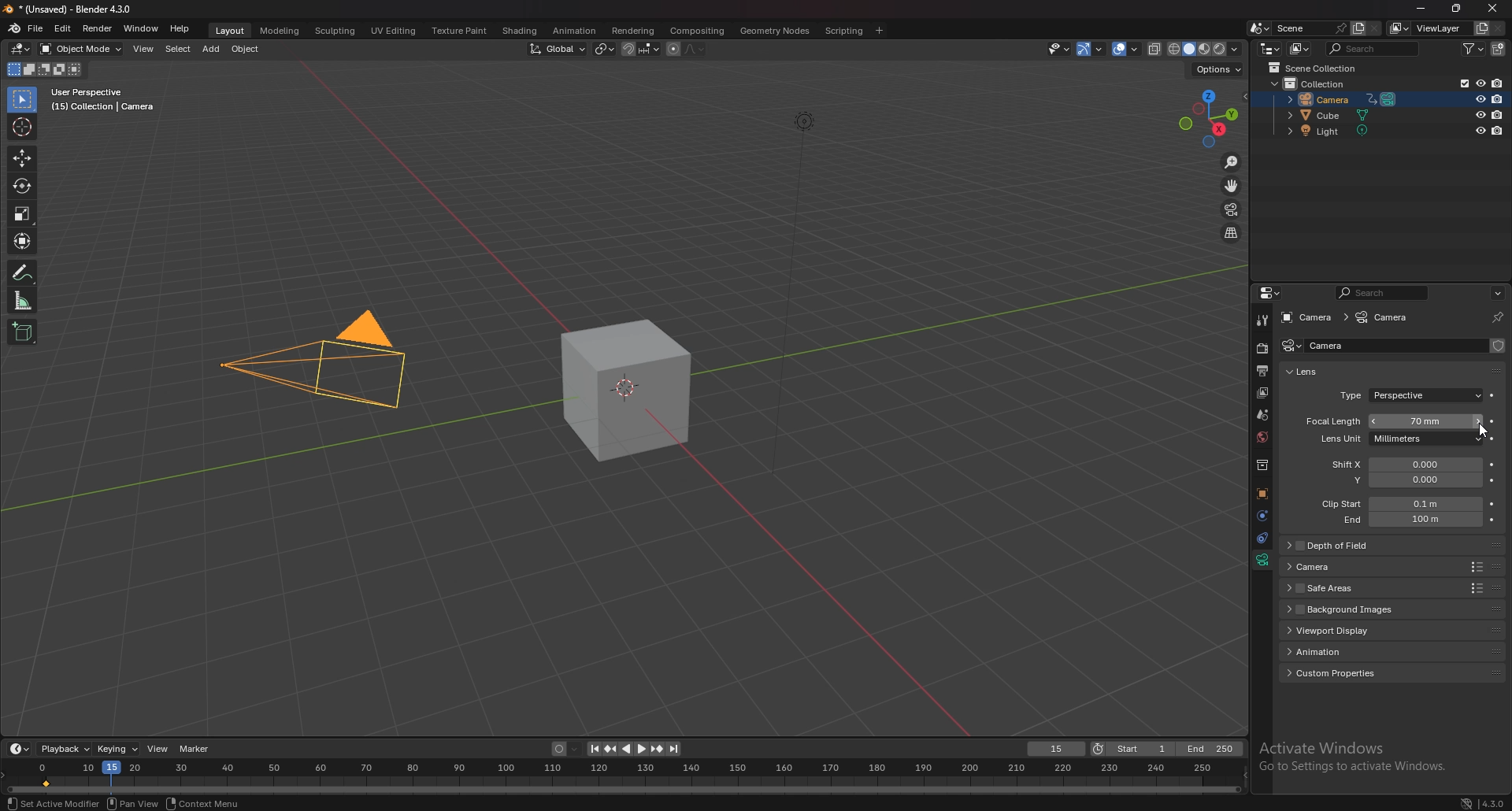  Describe the element at coordinates (1474, 50) in the screenshot. I see `filter` at that location.